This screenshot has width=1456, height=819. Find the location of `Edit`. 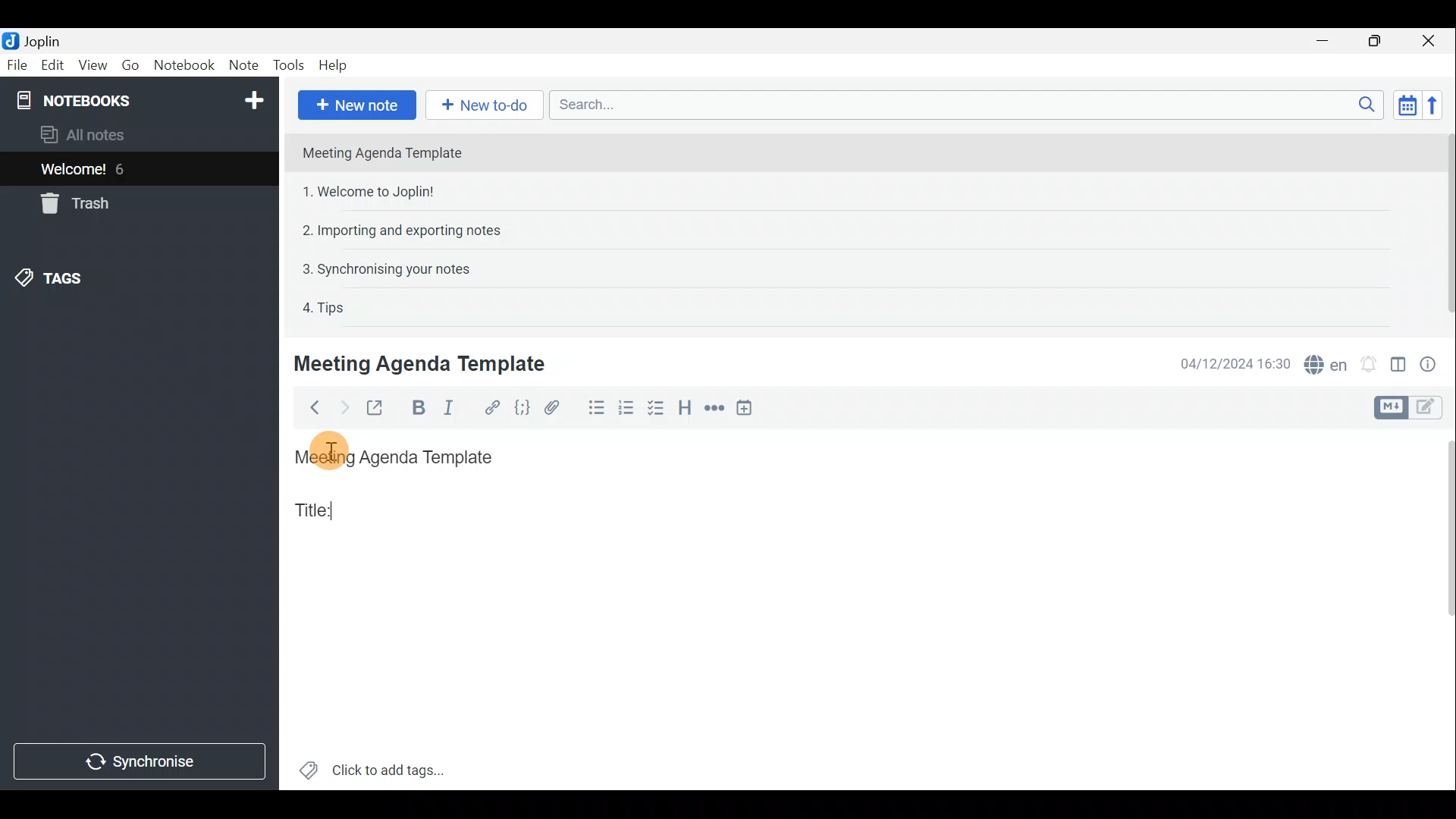

Edit is located at coordinates (53, 67).